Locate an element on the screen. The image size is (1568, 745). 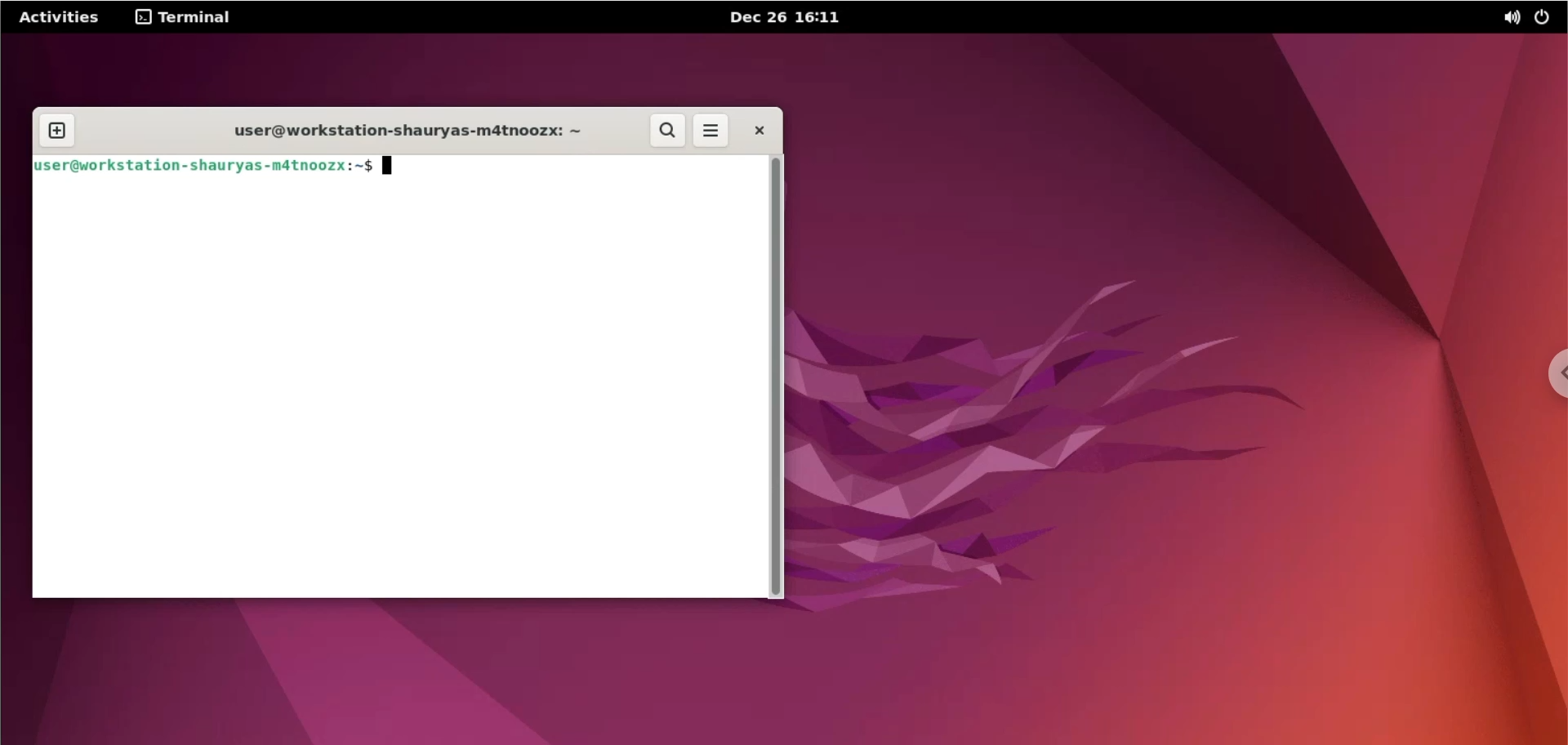
date and time is located at coordinates (786, 16).